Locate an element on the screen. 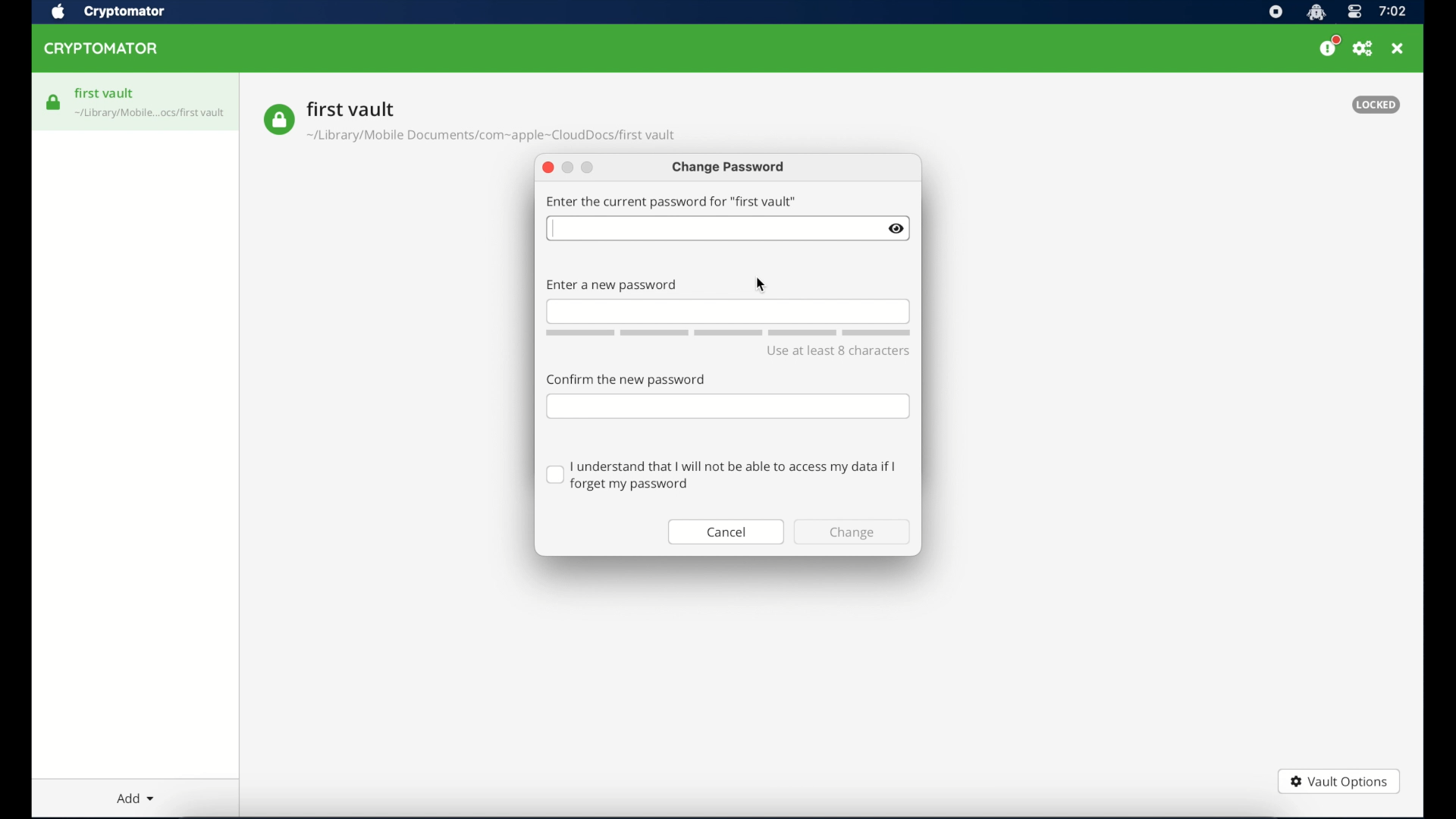 This screenshot has height=819, width=1456. vault icon is located at coordinates (278, 120).